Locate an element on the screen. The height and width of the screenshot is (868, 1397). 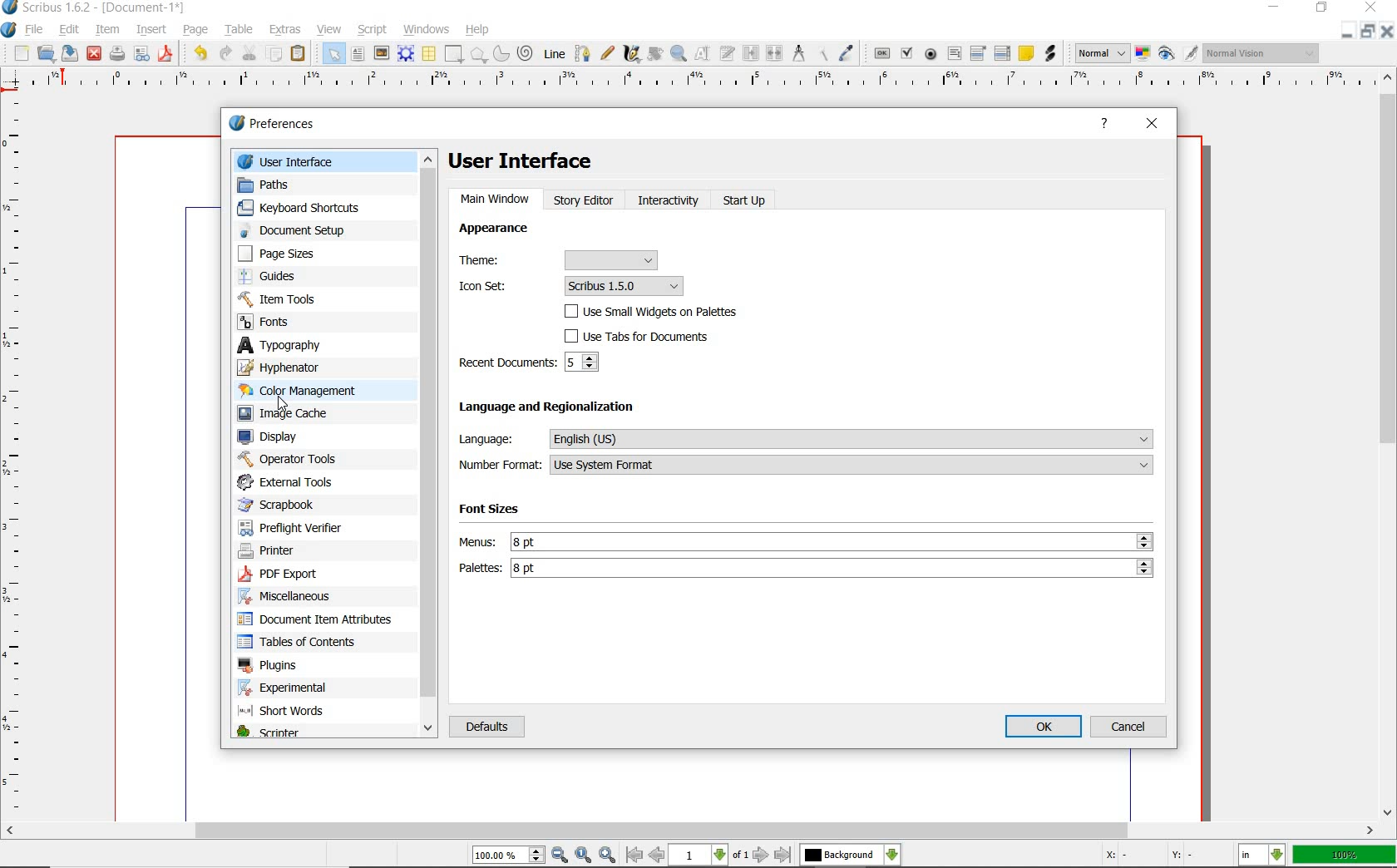
preferences is located at coordinates (277, 126).